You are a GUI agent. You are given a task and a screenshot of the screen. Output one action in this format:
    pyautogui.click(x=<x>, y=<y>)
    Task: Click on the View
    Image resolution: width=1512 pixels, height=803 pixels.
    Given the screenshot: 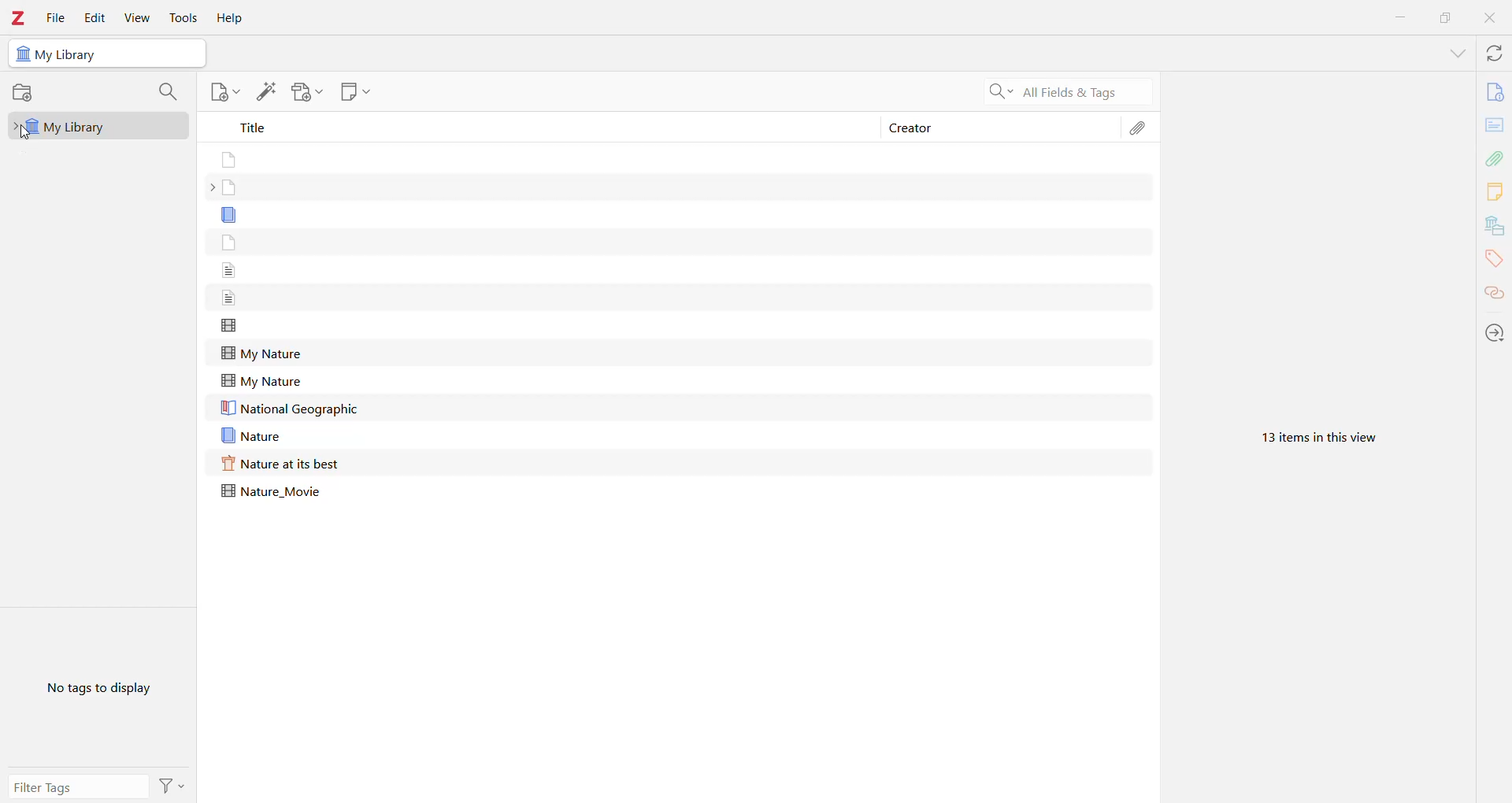 What is the action you would take?
    pyautogui.click(x=137, y=19)
    